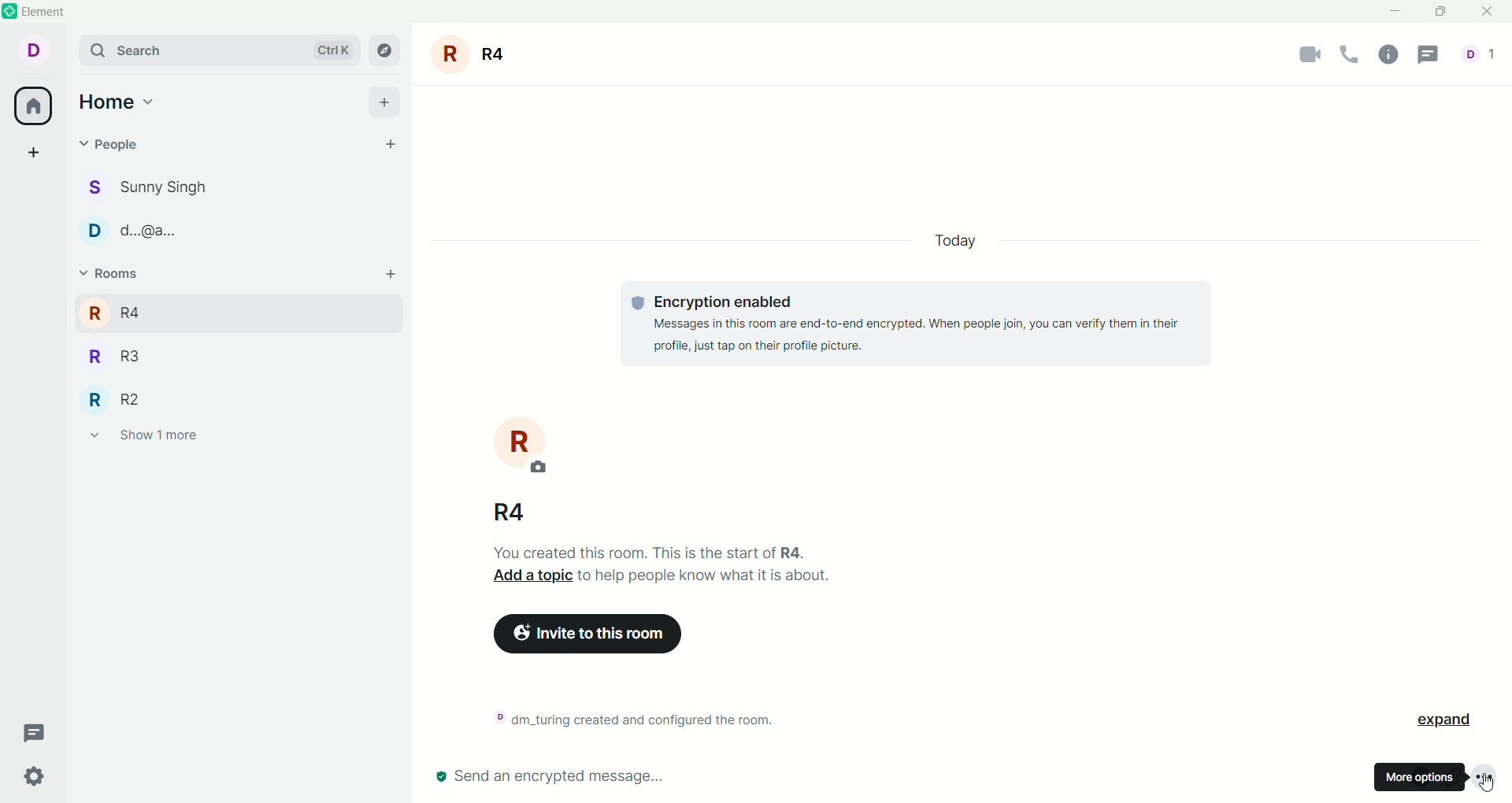  What do you see at coordinates (108, 274) in the screenshot?
I see `rooms` at bounding box center [108, 274].